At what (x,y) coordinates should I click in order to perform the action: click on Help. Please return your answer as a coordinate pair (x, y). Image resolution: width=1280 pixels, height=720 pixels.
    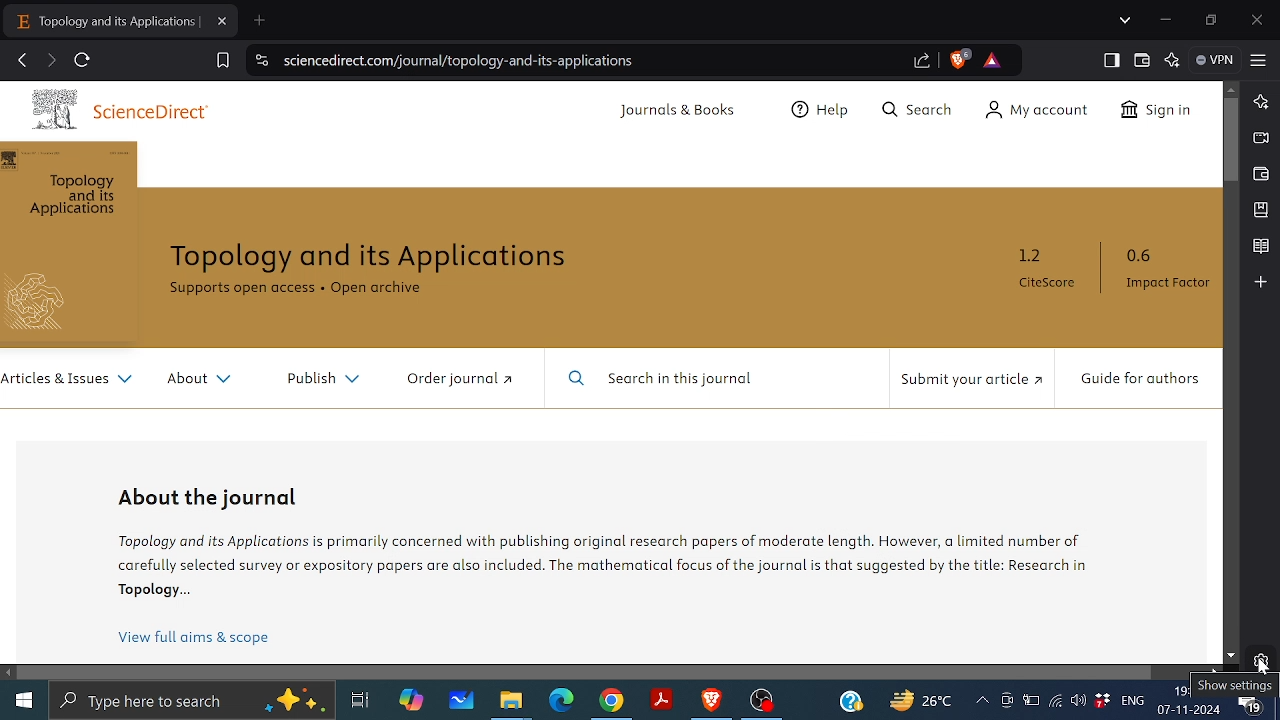
    Looking at the image, I should click on (817, 109).